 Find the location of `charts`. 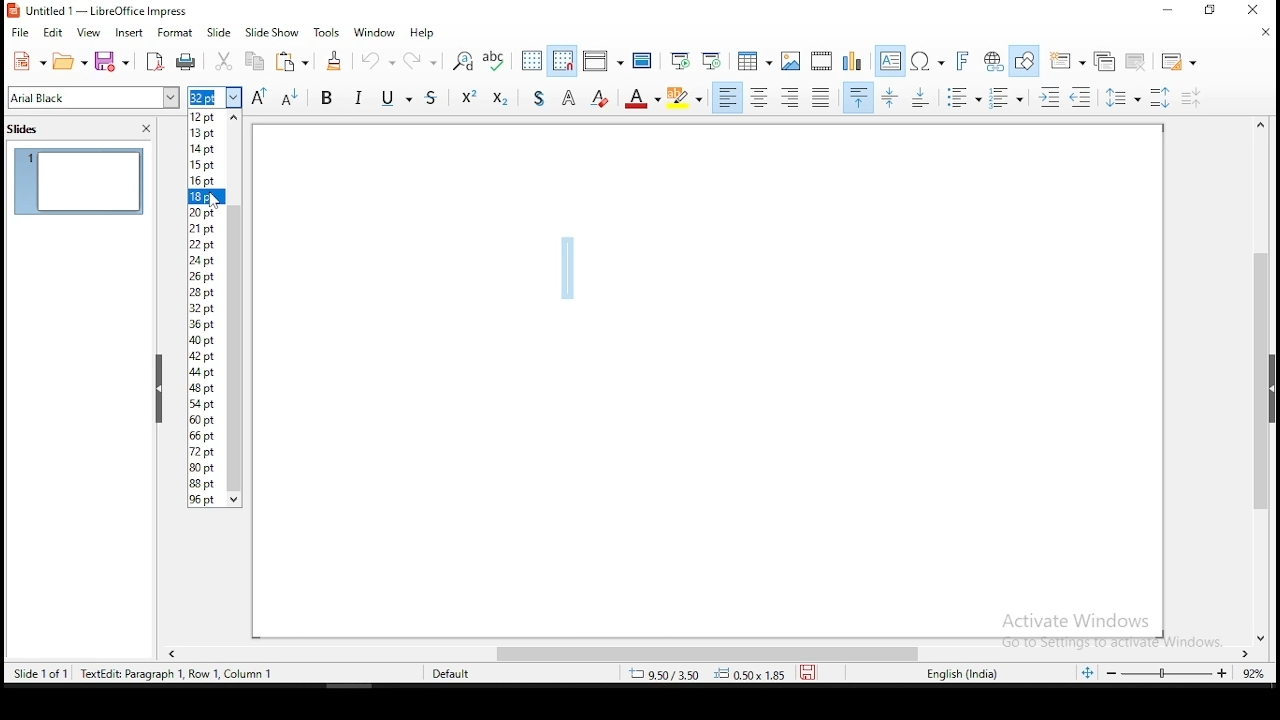

charts is located at coordinates (853, 60).